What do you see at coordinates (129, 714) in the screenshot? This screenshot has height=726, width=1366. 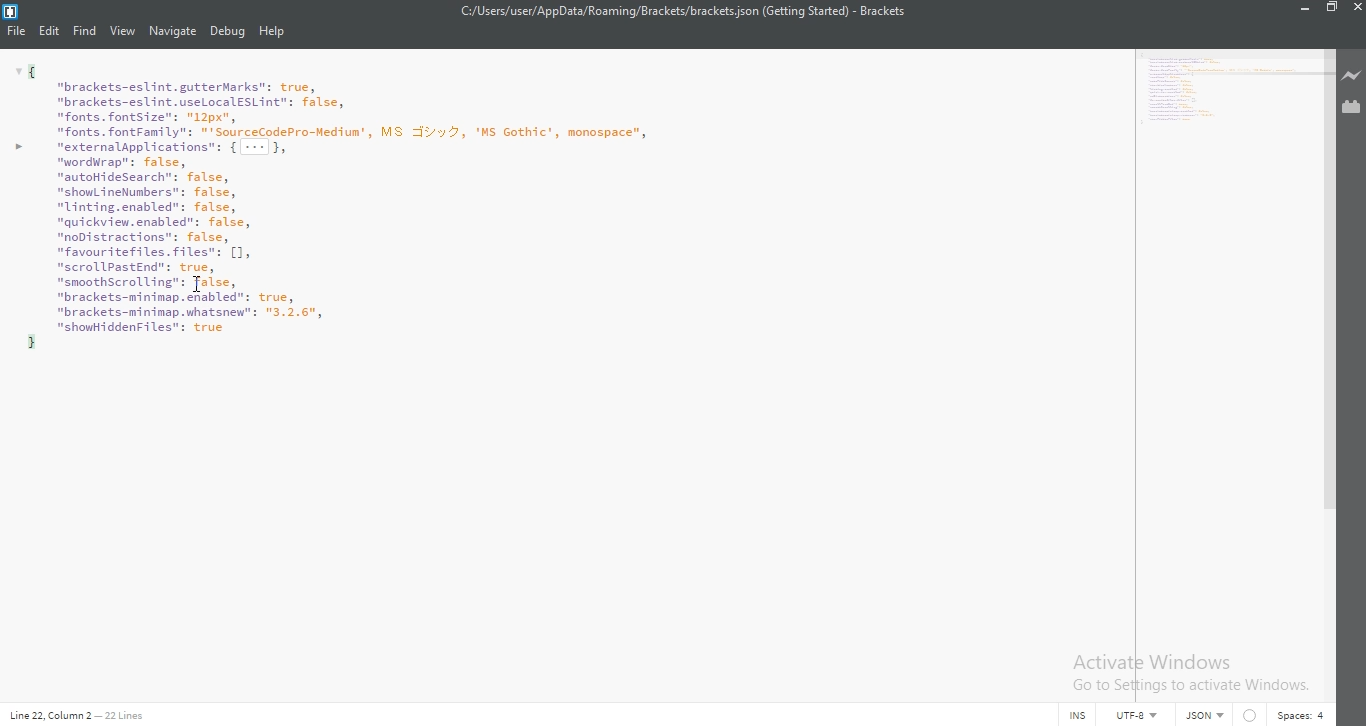 I see `Line` at bounding box center [129, 714].